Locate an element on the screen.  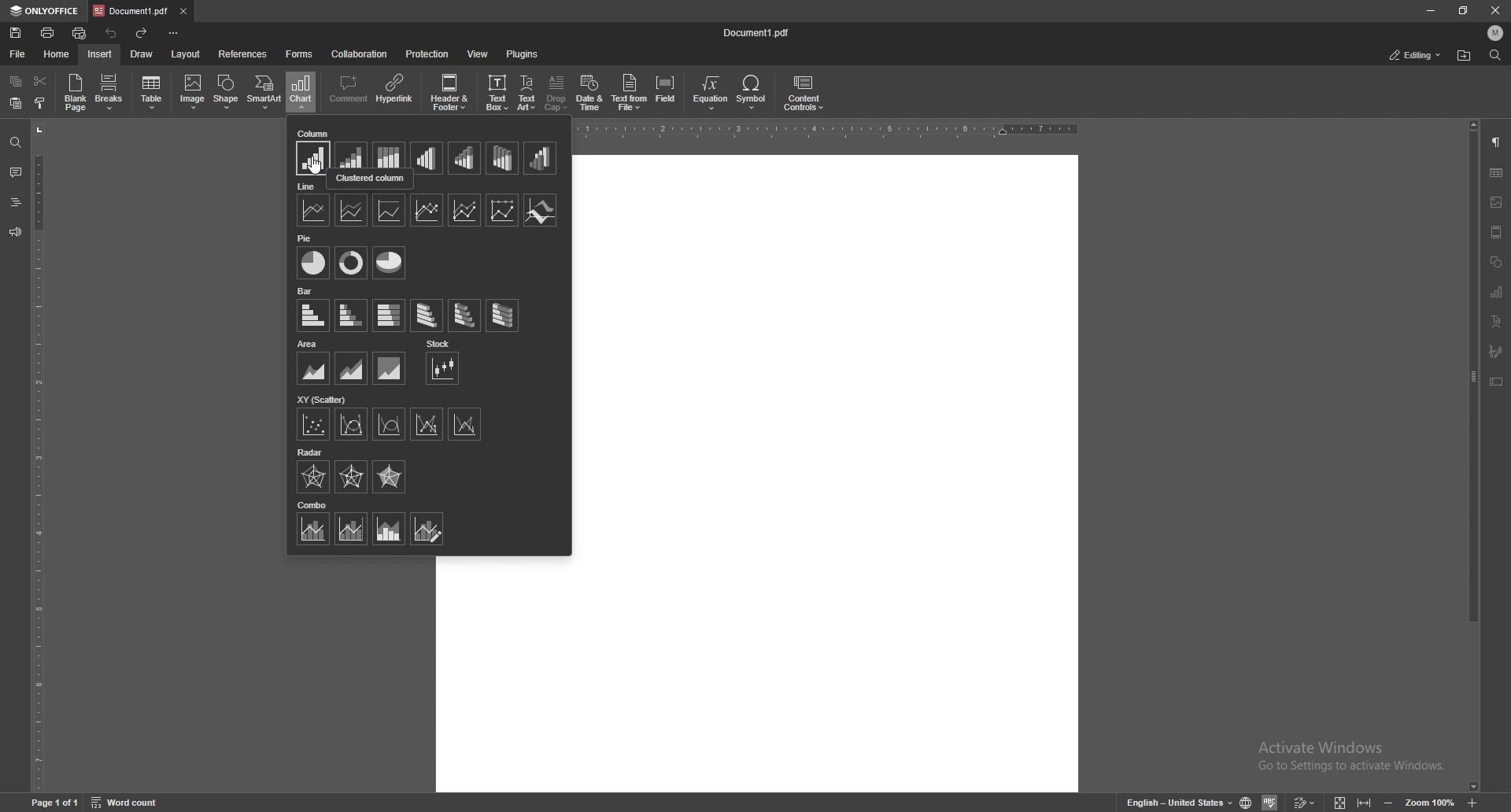
text box is located at coordinates (1496, 382).